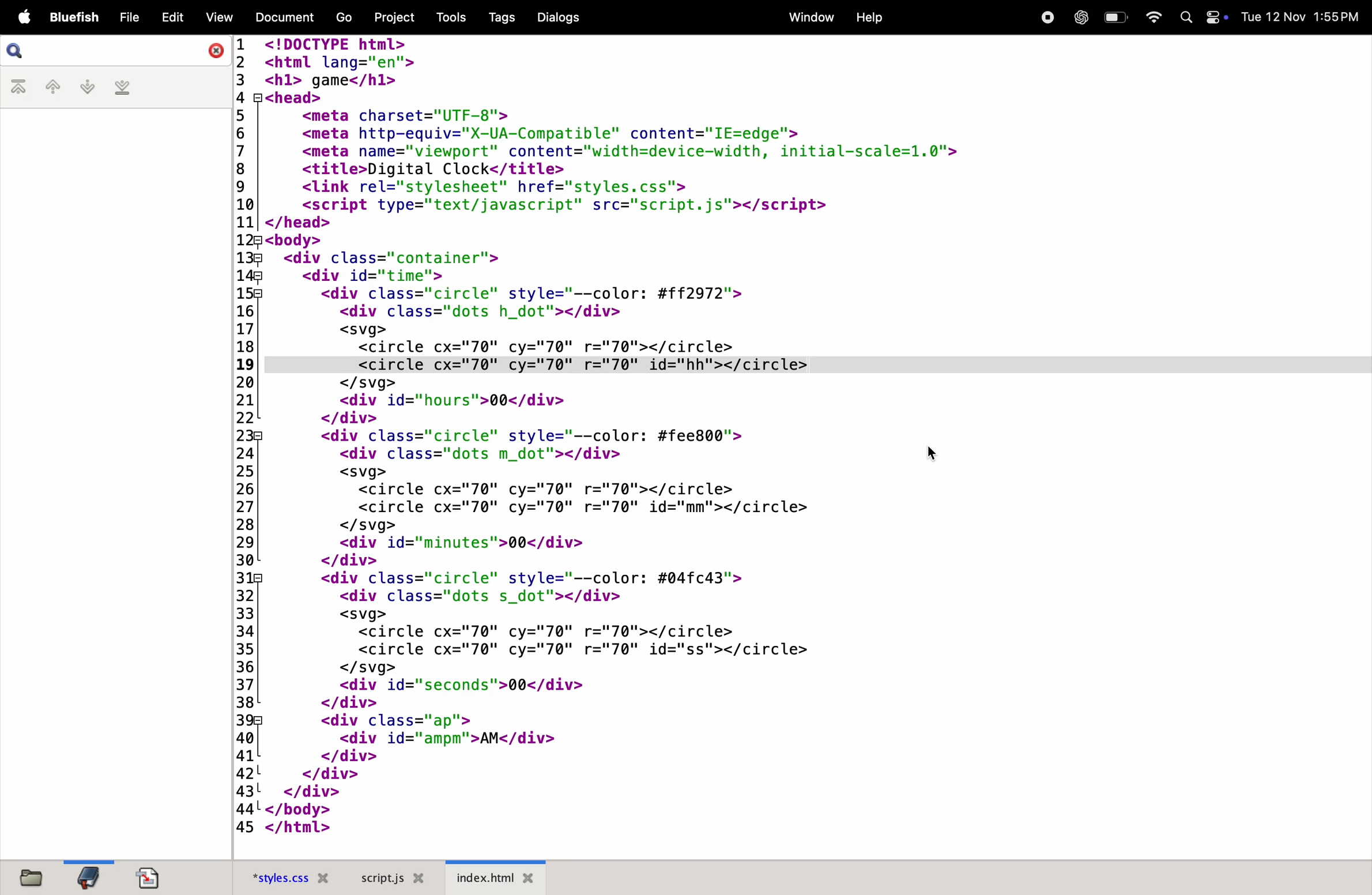 This screenshot has height=895, width=1372. I want to click on dialogs, so click(557, 18).